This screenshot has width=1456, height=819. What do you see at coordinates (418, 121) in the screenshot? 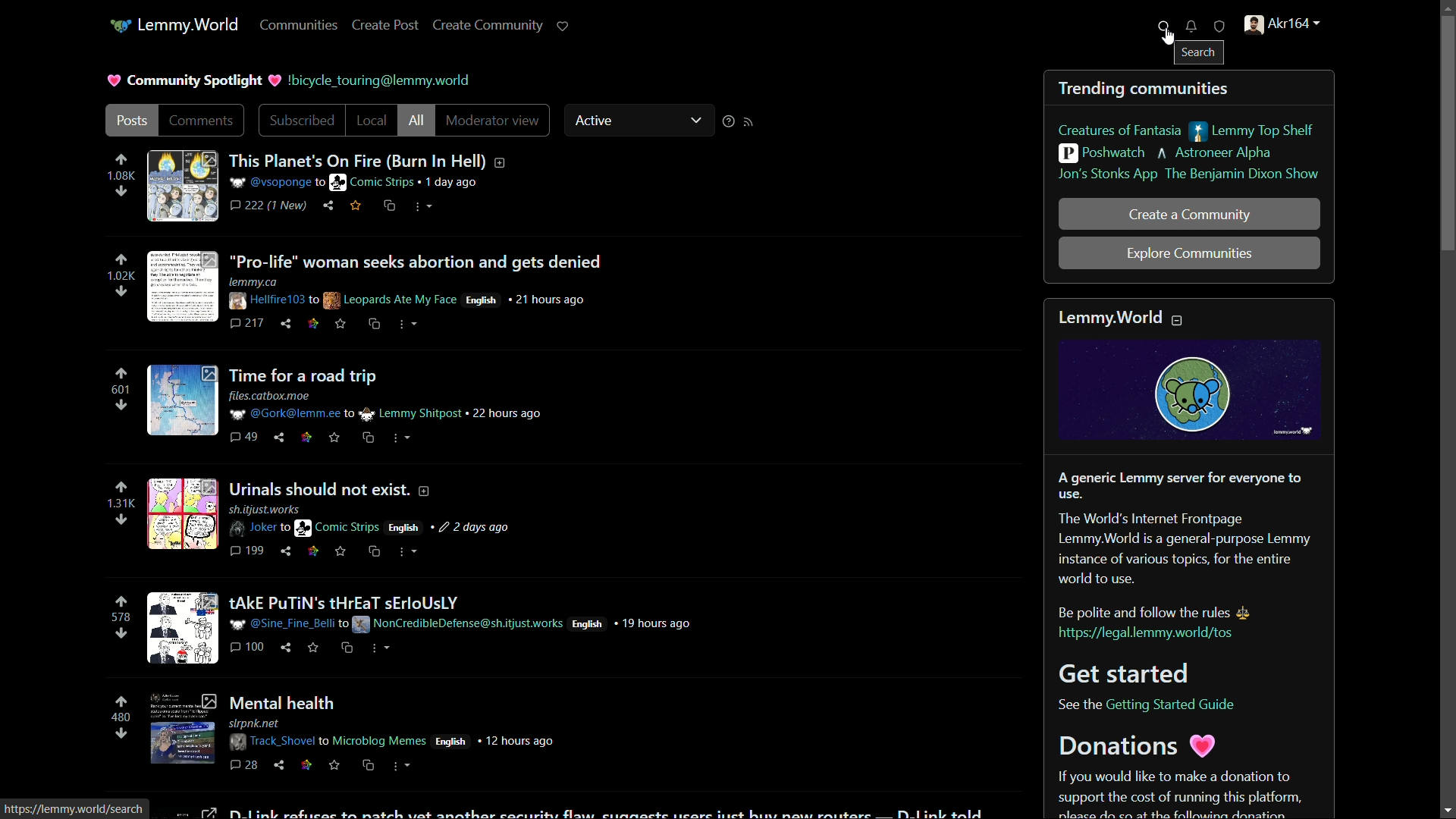
I see `all` at bounding box center [418, 121].